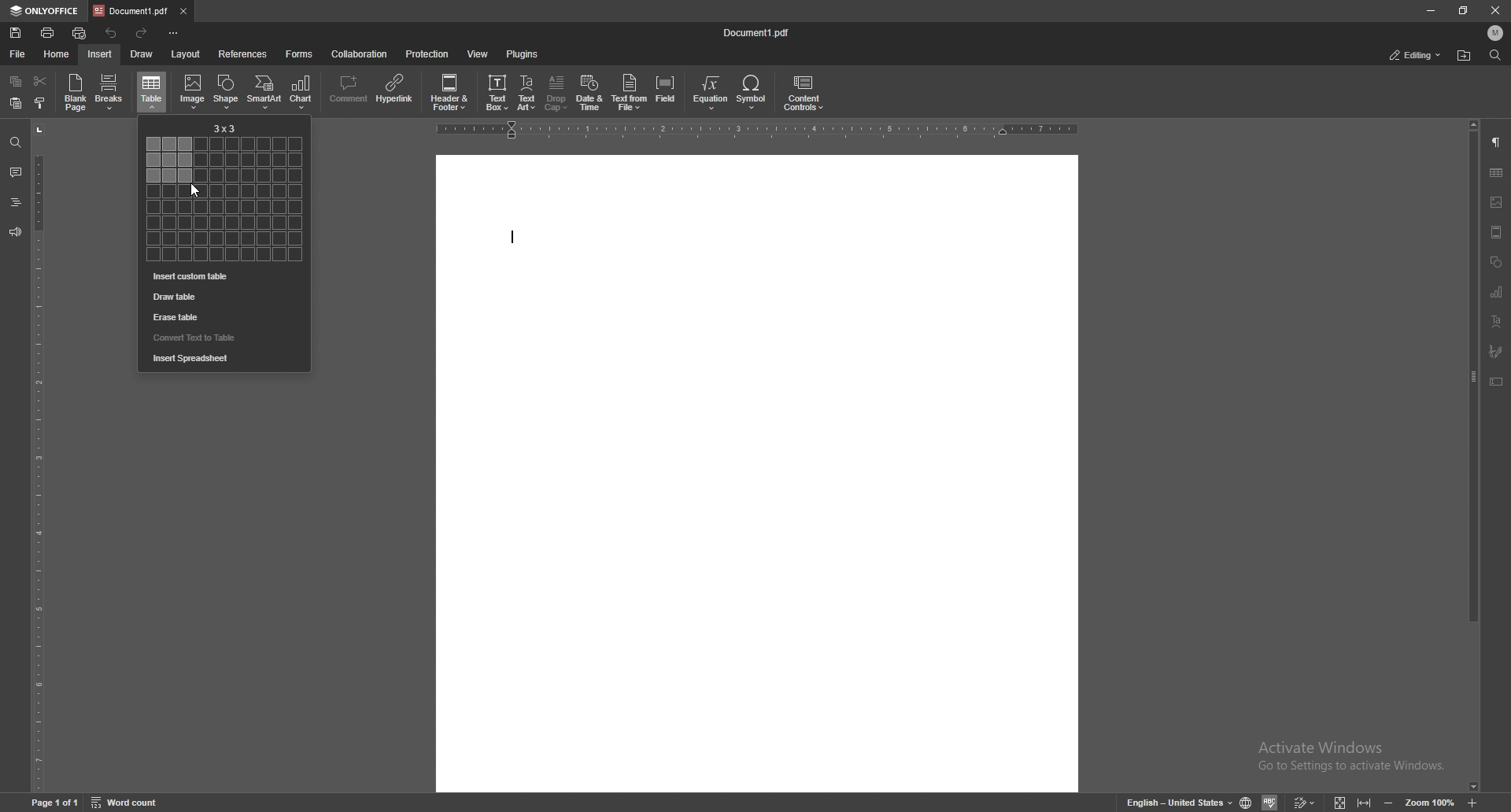 The width and height of the screenshot is (1511, 812). Describe the element at coordinates (186, 54) in the screenshot. I see `layout` at that location.